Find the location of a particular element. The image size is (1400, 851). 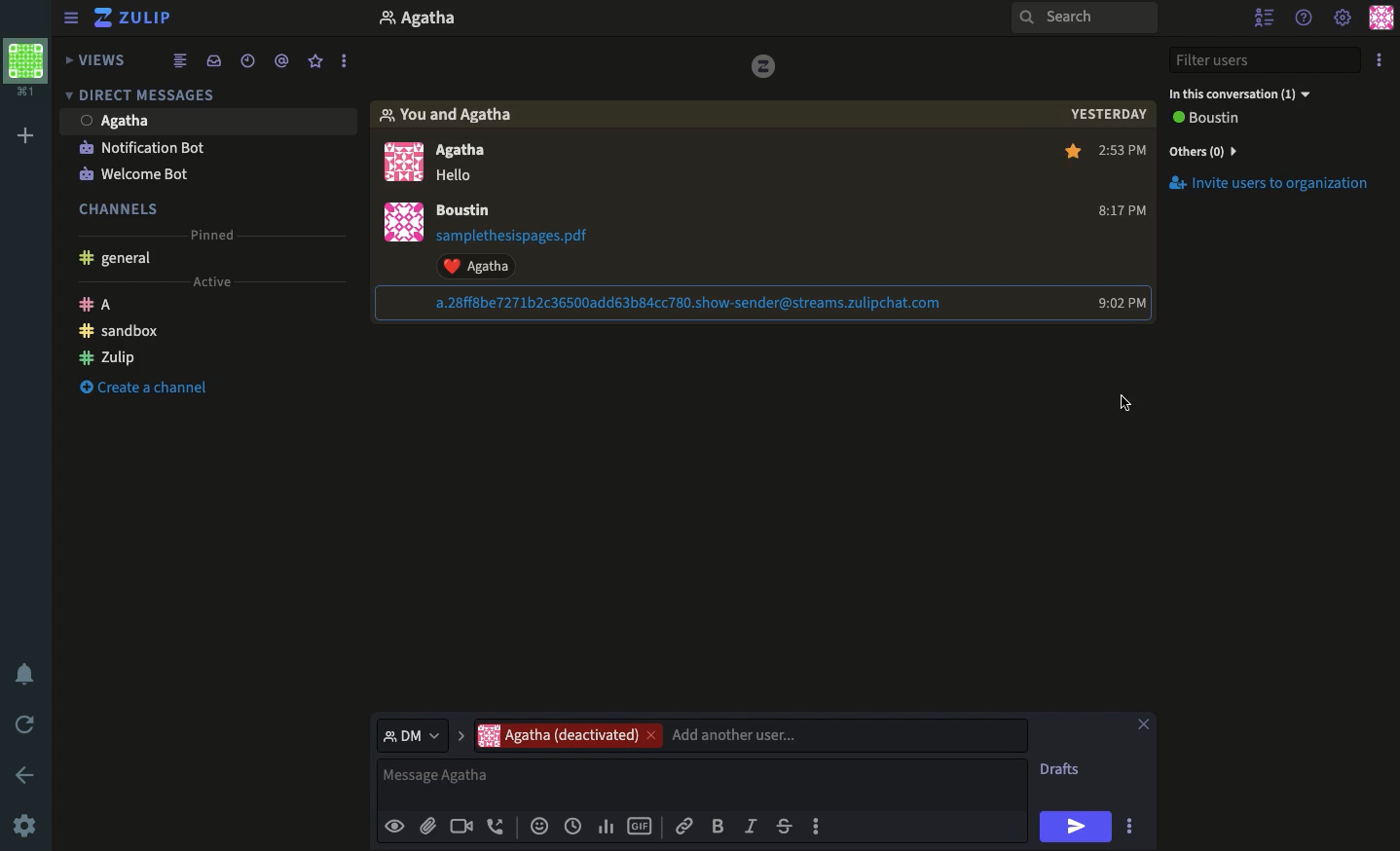

Cursor is located at coordinates (1124, 401).